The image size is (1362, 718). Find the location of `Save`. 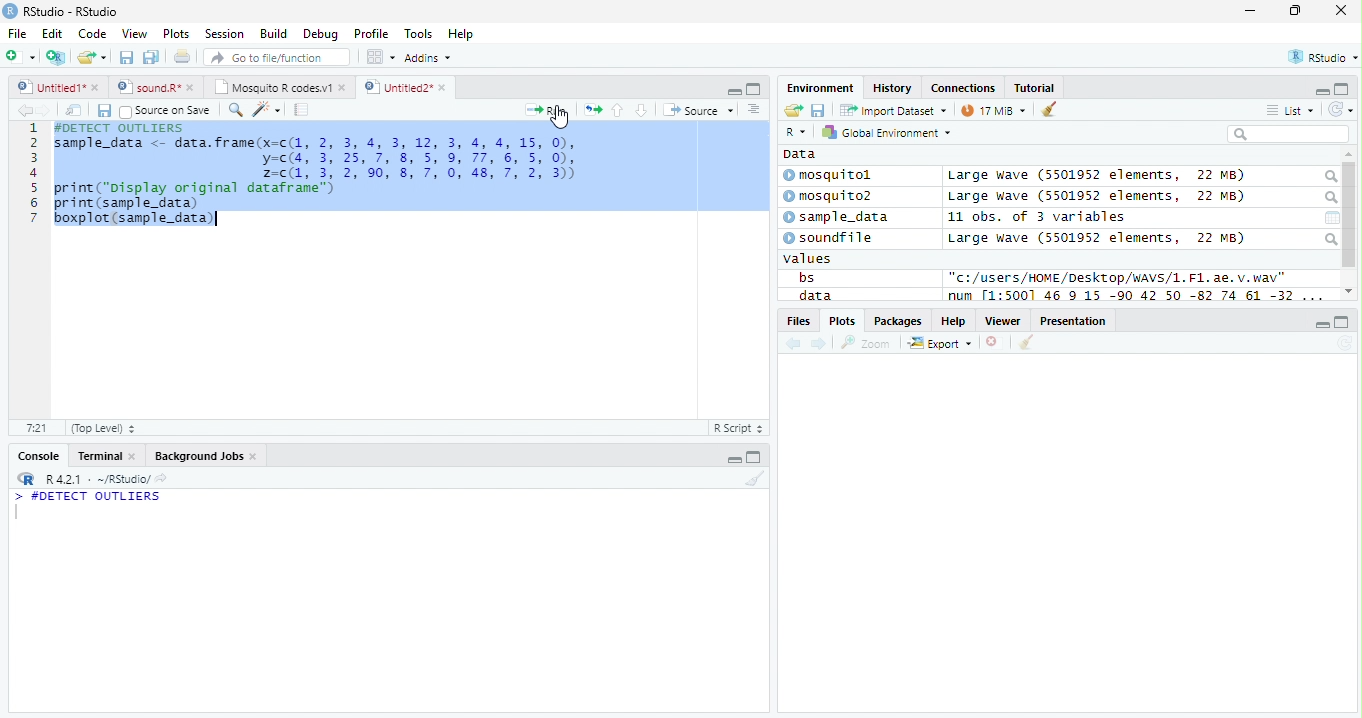

Save is located at coordinates (818, 110).